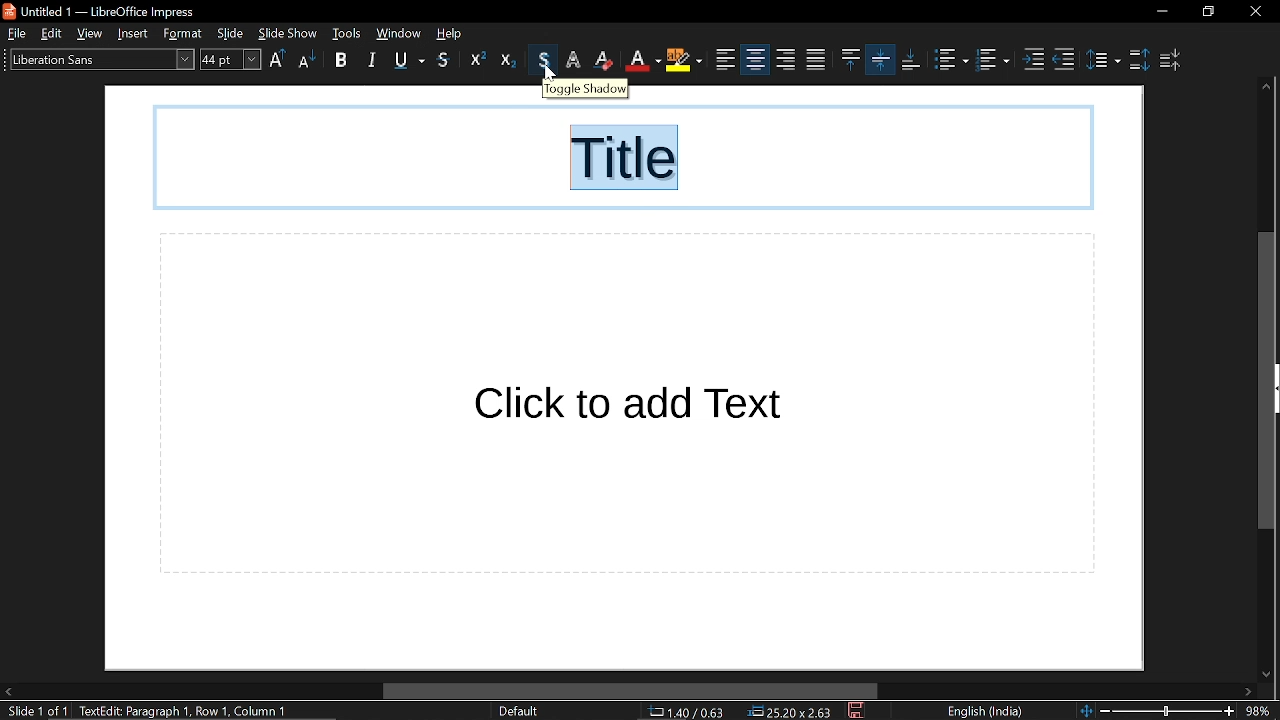 The height and width of the screenshot is (720, 1280). Describe the element at coordinates (374, 59) in the screenshot. I see `italic` at that location.